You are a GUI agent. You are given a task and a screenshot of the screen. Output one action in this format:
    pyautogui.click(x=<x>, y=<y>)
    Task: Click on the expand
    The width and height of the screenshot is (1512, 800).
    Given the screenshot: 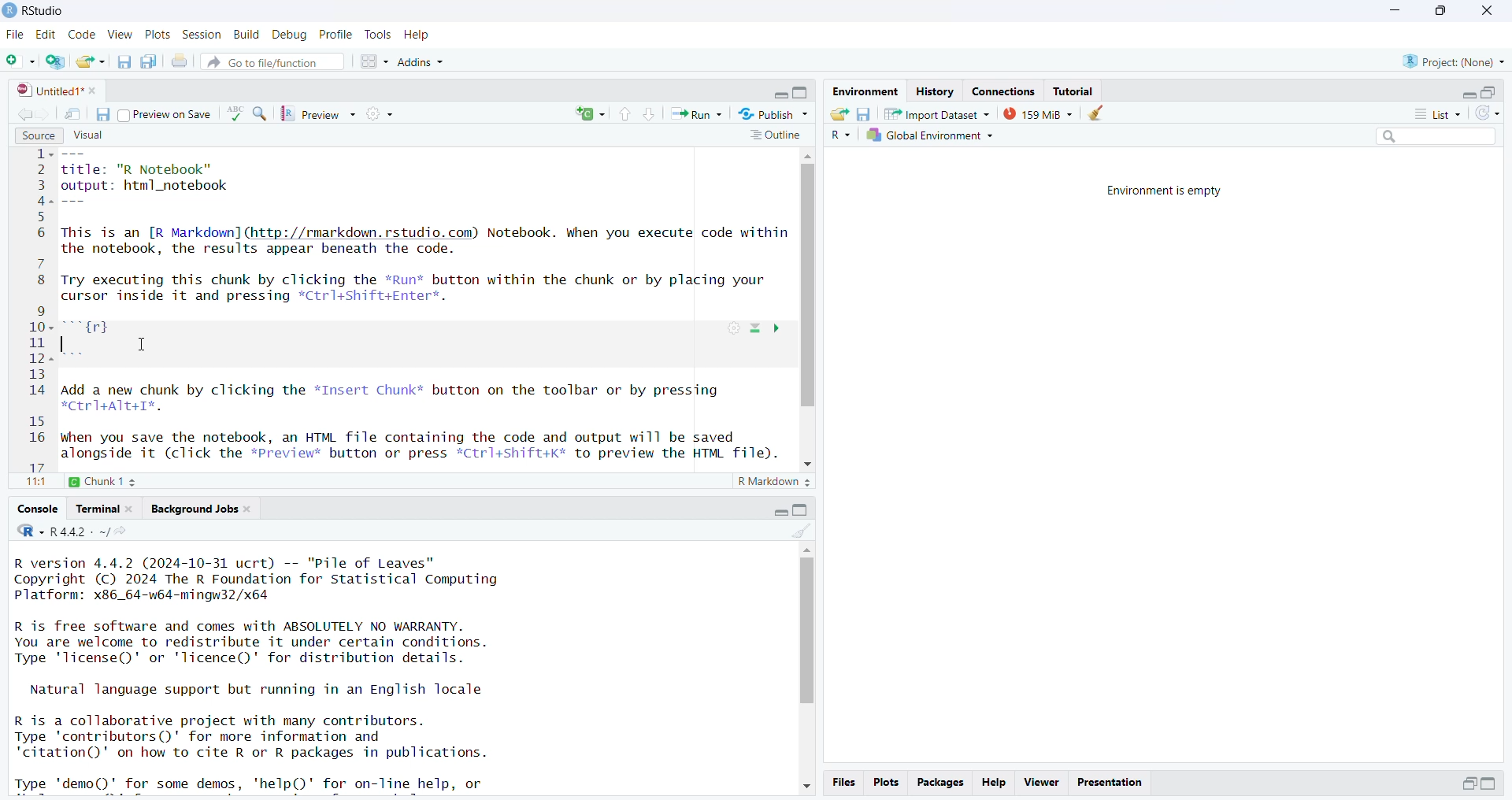 What is the action you would take?
    pyautogui.click(x=1469, y=783)
    